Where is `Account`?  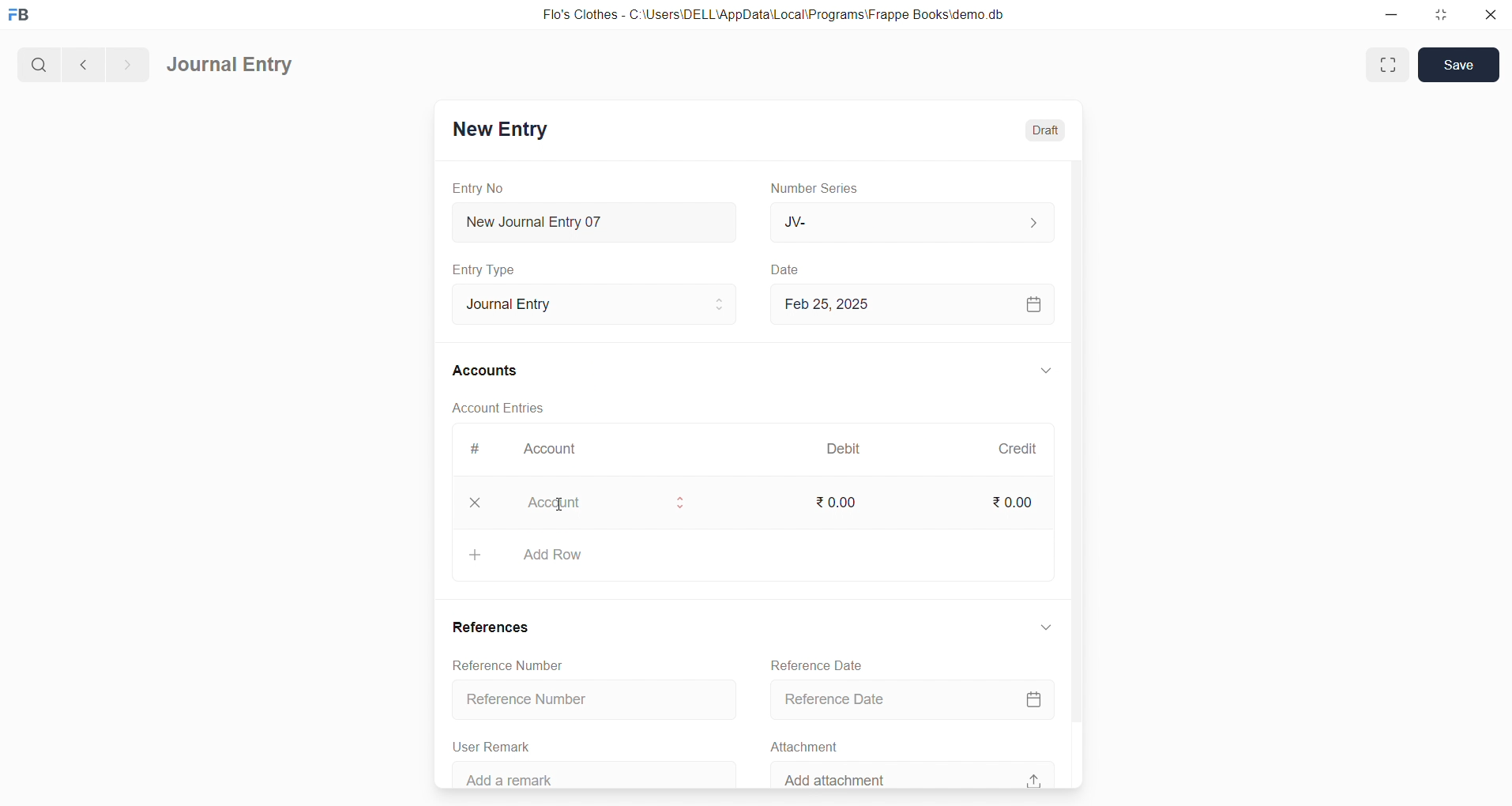 Account is located at coordinates (553, 450).